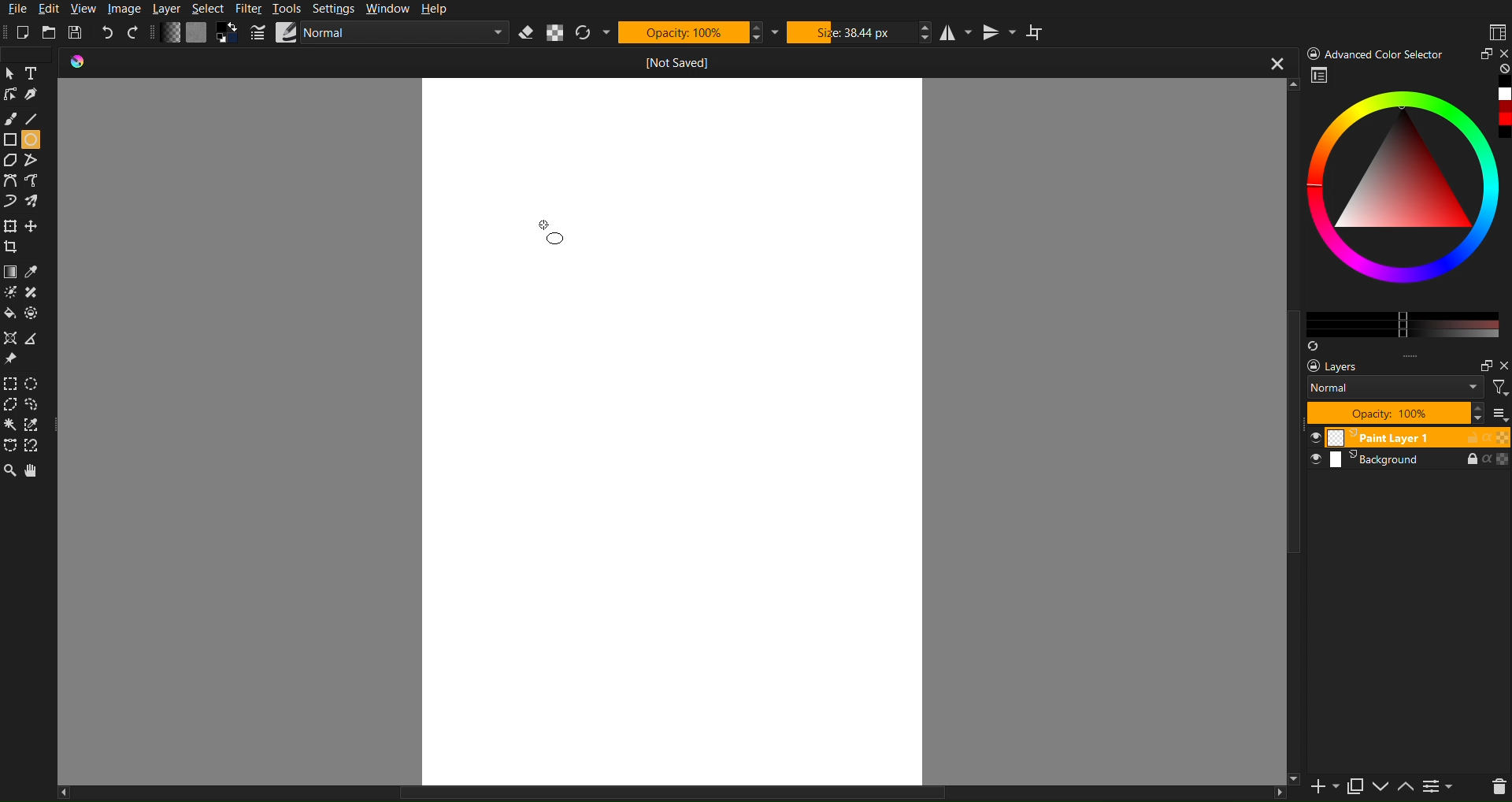 The width and height of the screenshot is (1512, 802). What do you see at coordinates (34, 339) in the screenshot?
I see `Polygon` at bounding box center [34, 339].